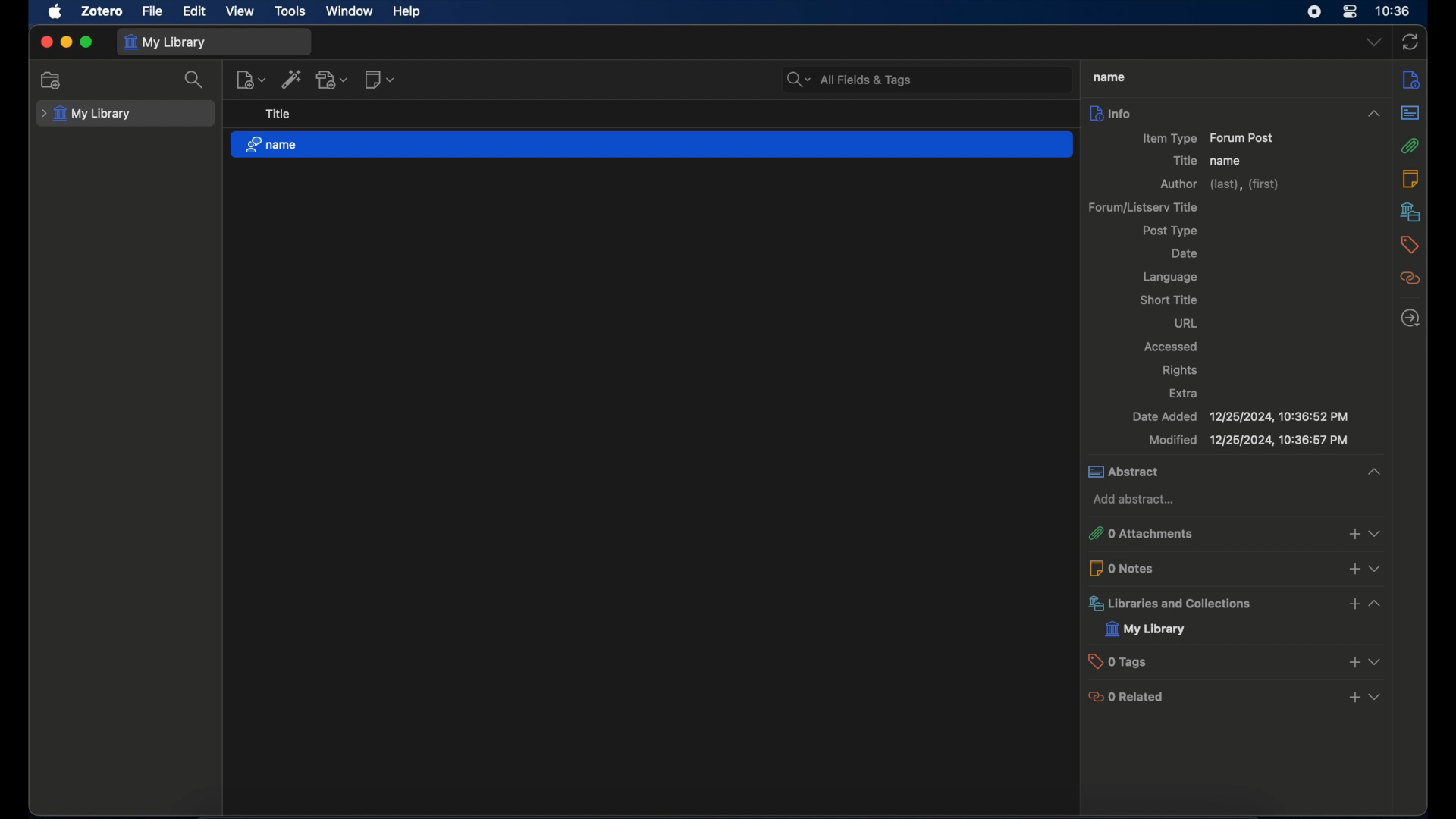 This screenshot has width=1456, height=819. Describe the element at coordinates (1170, 278) in the screenshot. I see `language` at that location.